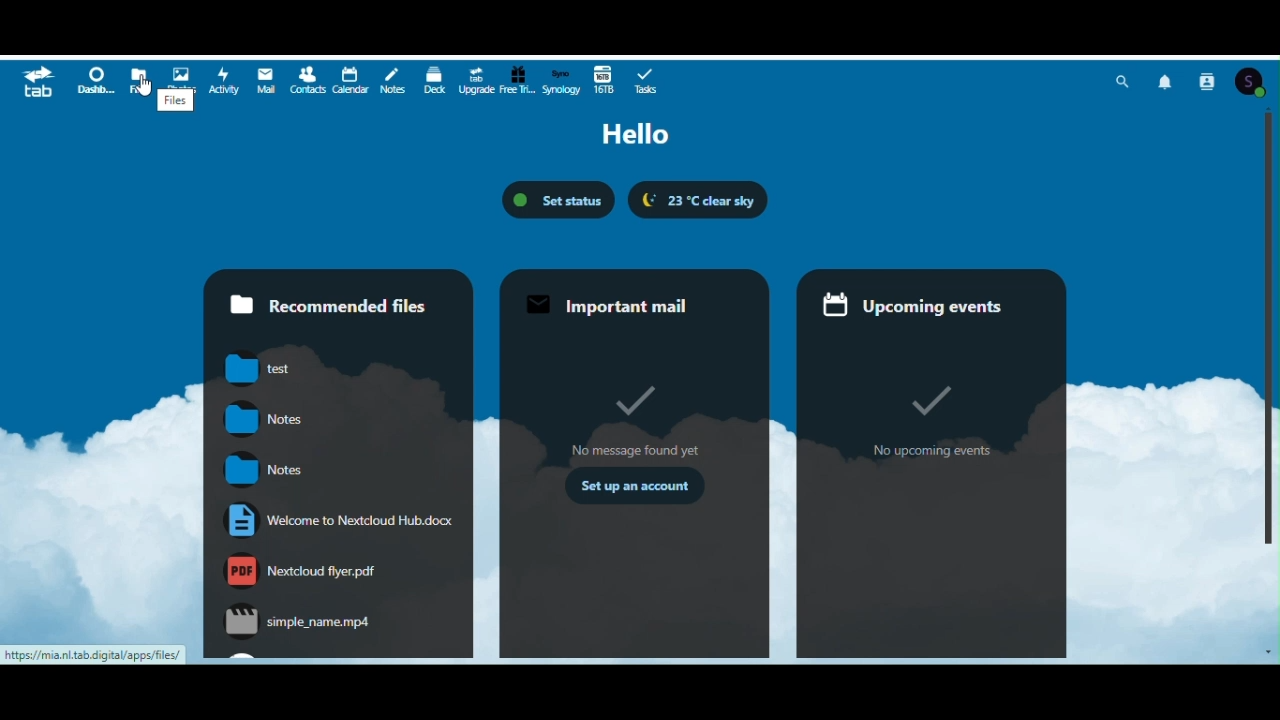  Describe the element at coordinates (261, 471) in the screenshot. I see `notes` at that location.